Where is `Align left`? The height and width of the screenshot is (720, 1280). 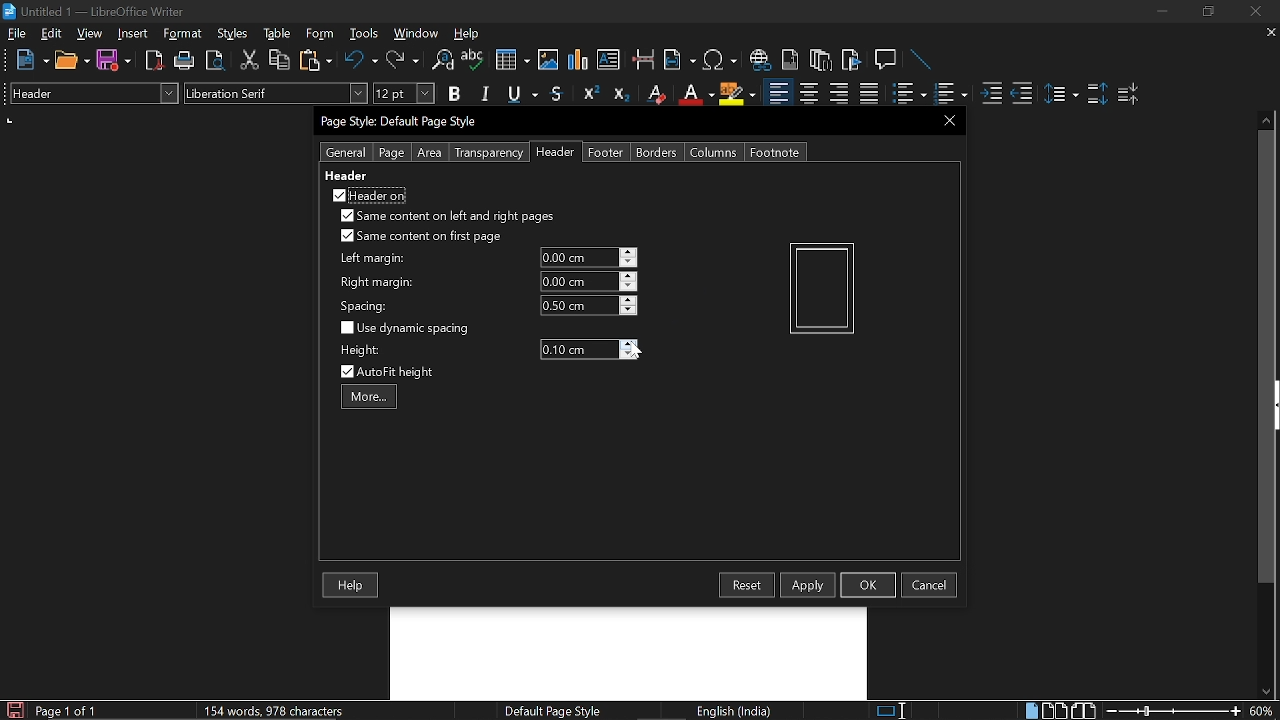 Align left is located at coordinates (778, 94).